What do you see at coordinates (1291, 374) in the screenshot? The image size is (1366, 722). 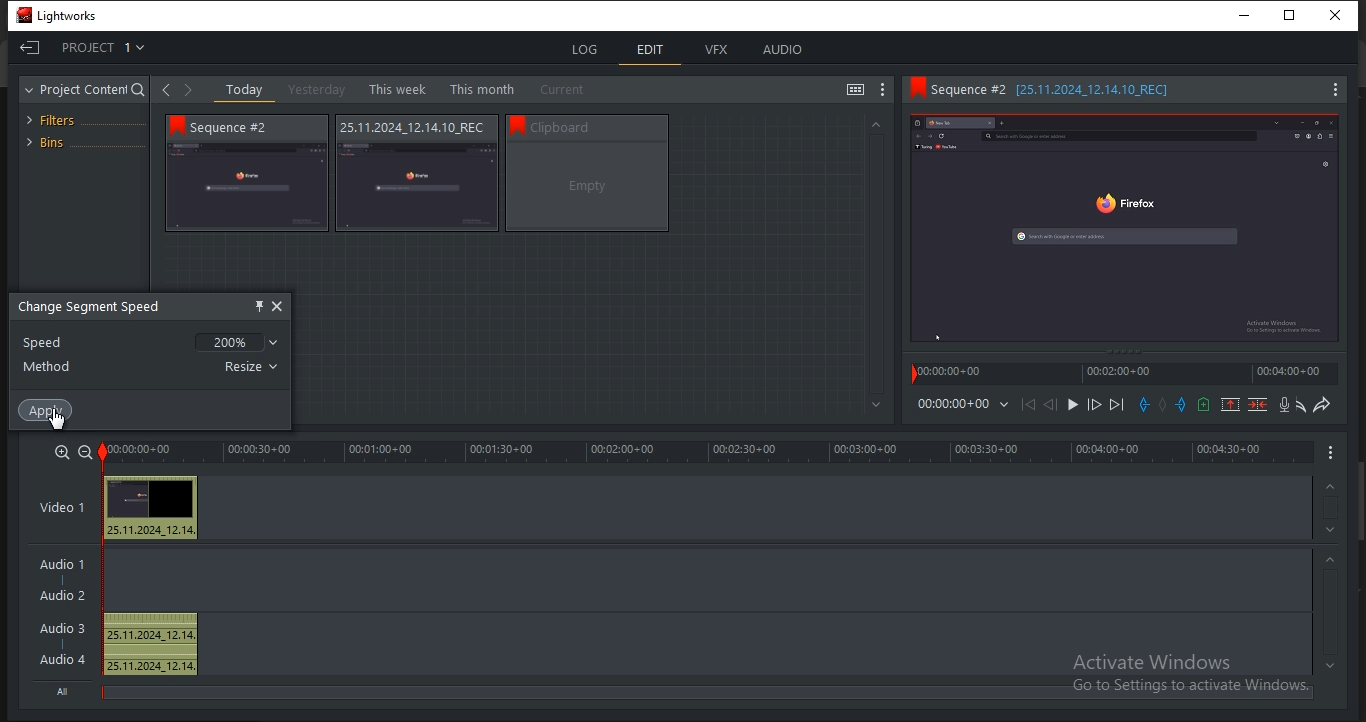 I see `time stamp` at bounding box center [1291, 374].